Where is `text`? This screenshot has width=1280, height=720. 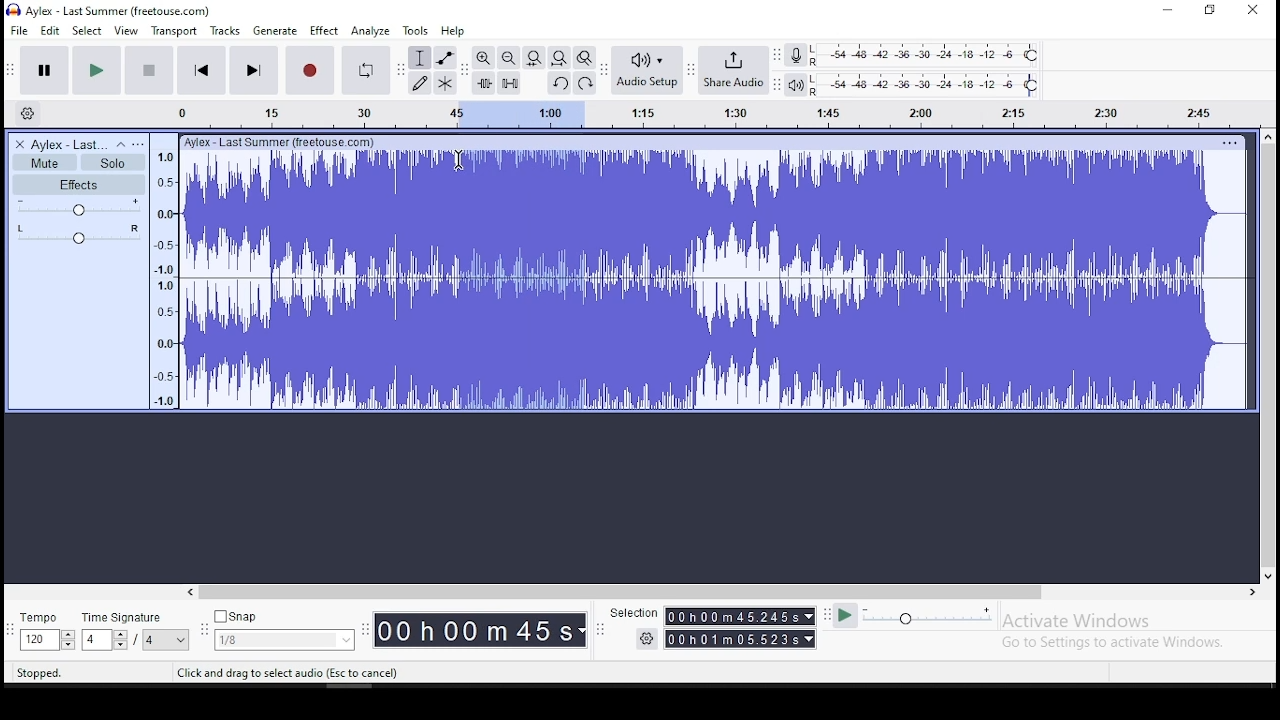
text is located at coordinates (288, 142).